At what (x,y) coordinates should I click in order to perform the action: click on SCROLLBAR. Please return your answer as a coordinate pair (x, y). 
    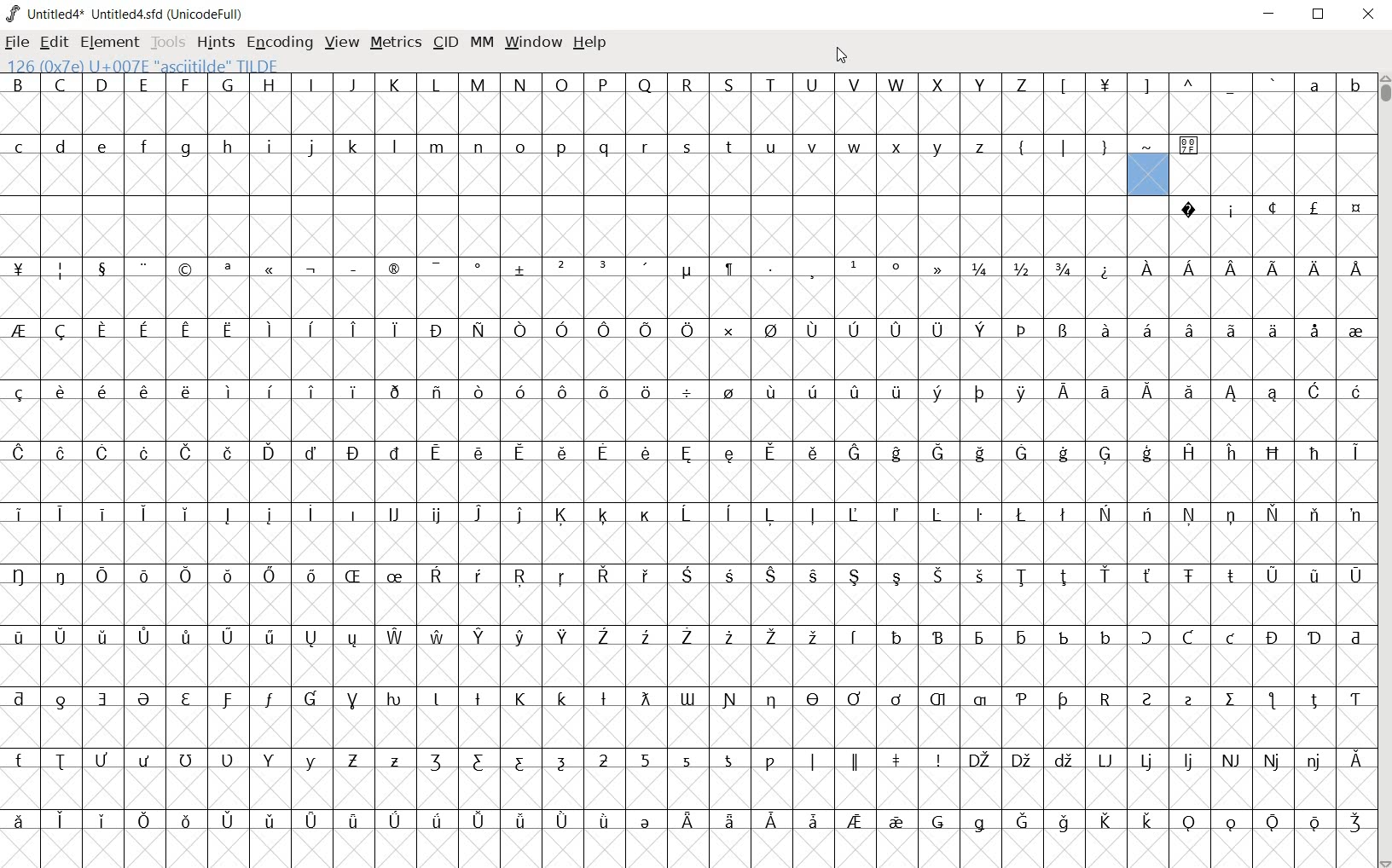
    Looking at the image, I should click on (1383, 471).